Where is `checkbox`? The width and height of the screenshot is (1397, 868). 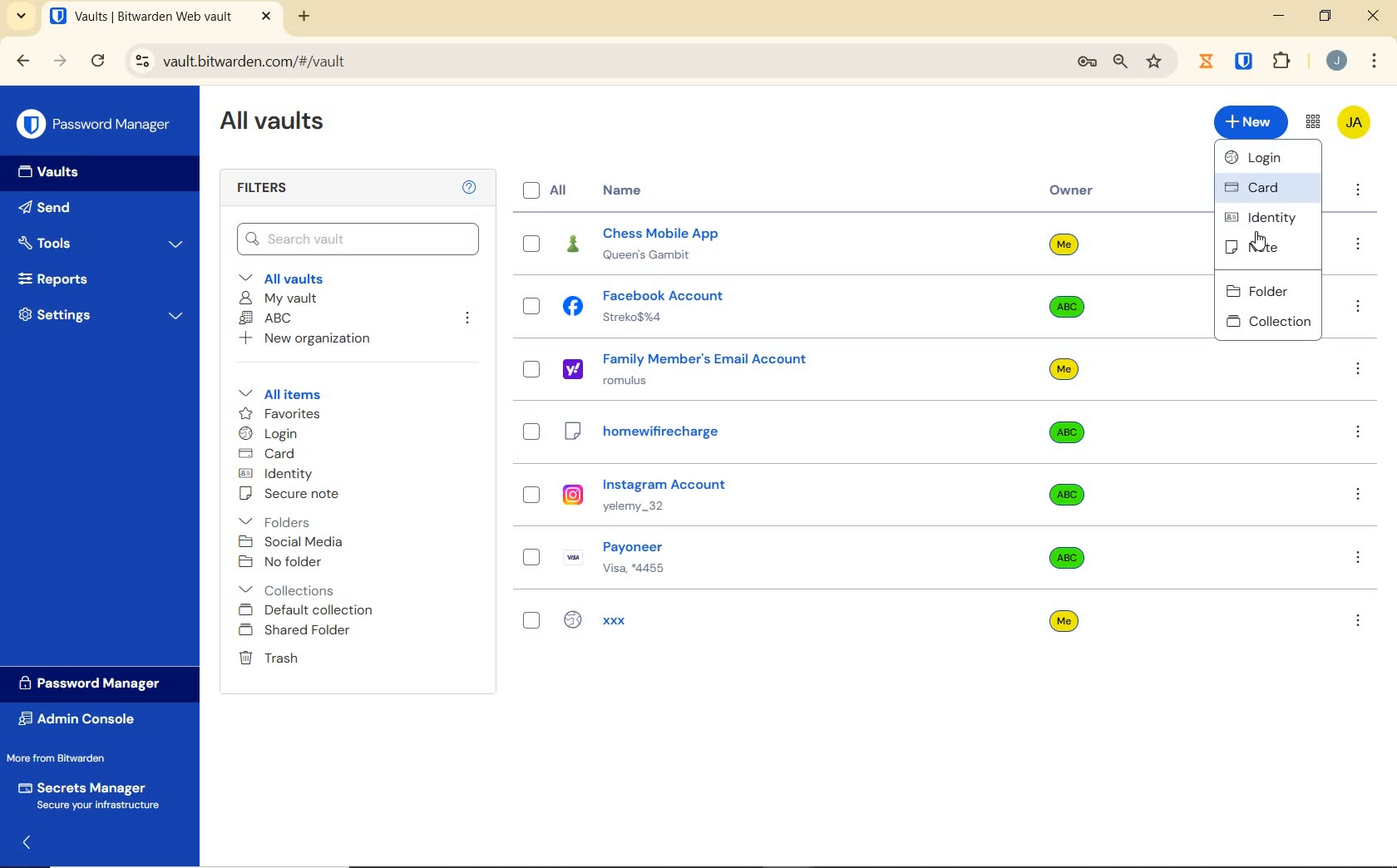 checkbox is located at coordinates (532, 432).